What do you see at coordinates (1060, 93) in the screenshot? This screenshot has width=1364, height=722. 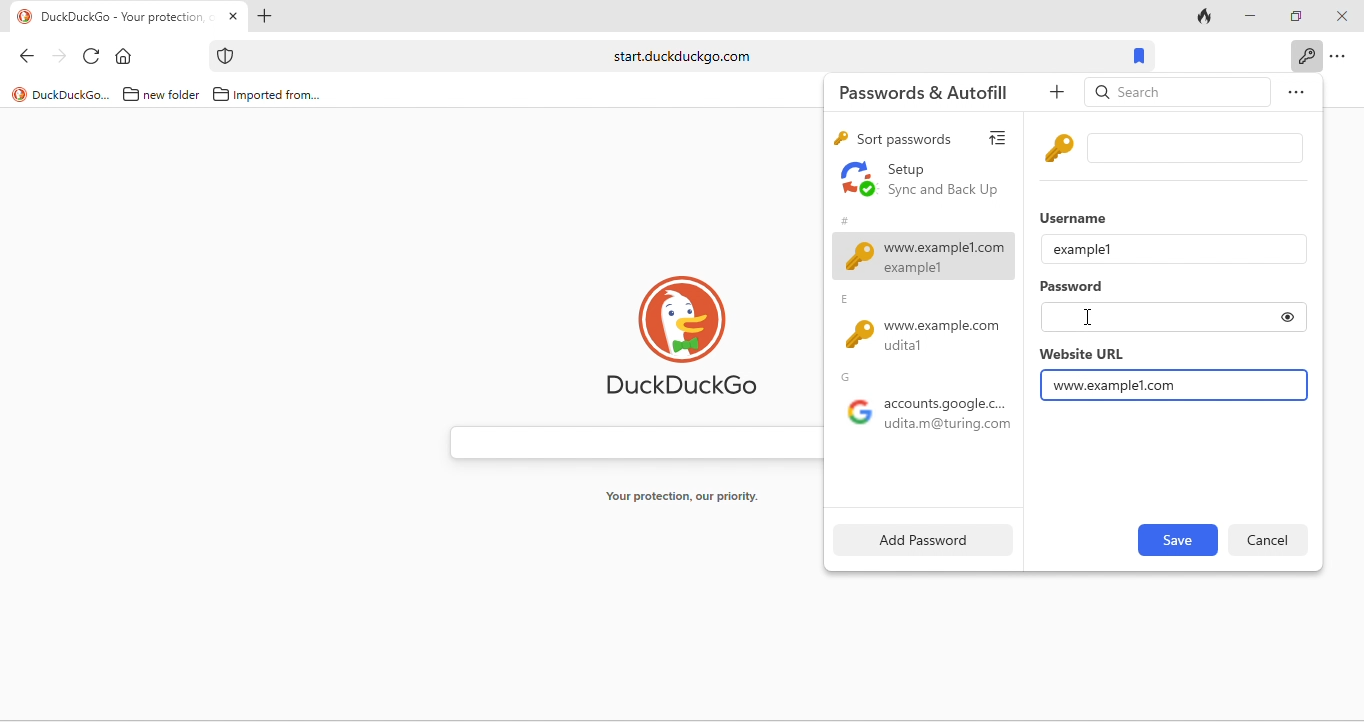 I see `add` at bounding box center [1060, 93].